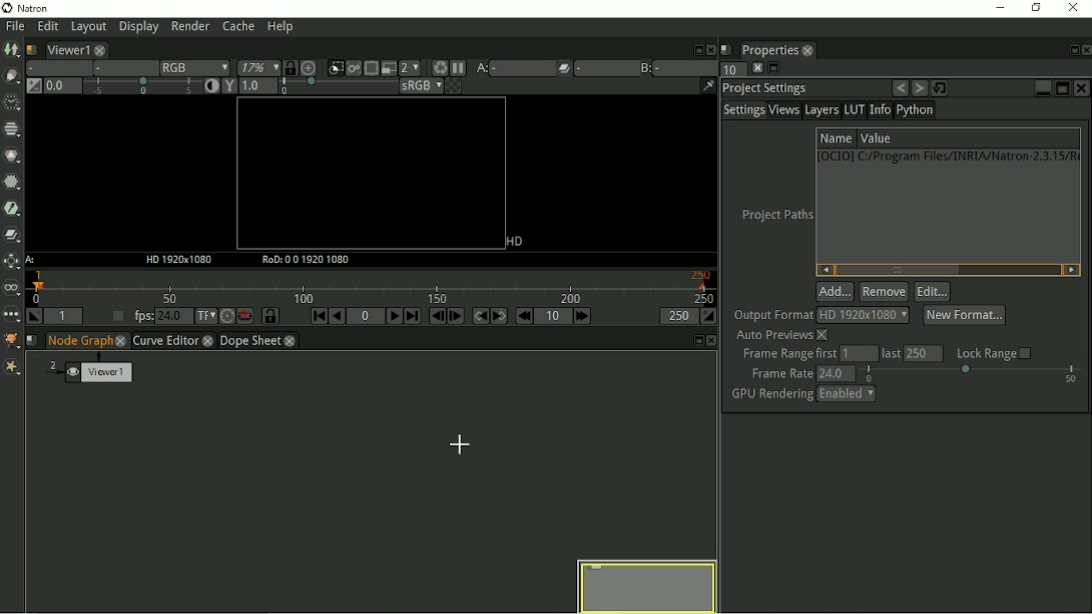 Image resolution: width=1092 pixels, height=614 pixels. I want to click on Name, so click(835, 137).